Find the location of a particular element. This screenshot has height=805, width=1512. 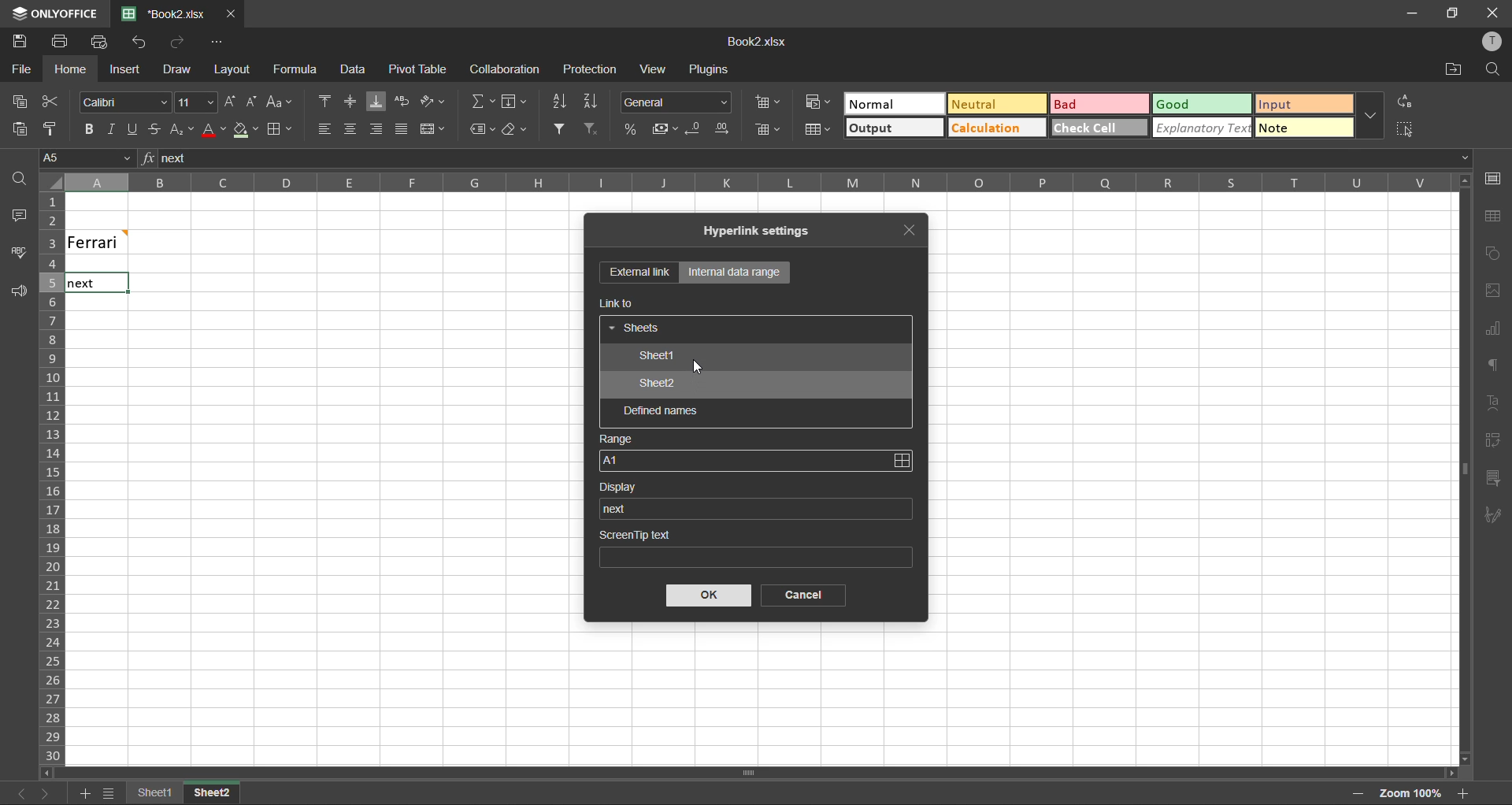

Horizontal Scrollbar is located at coordinates (1457, 469).